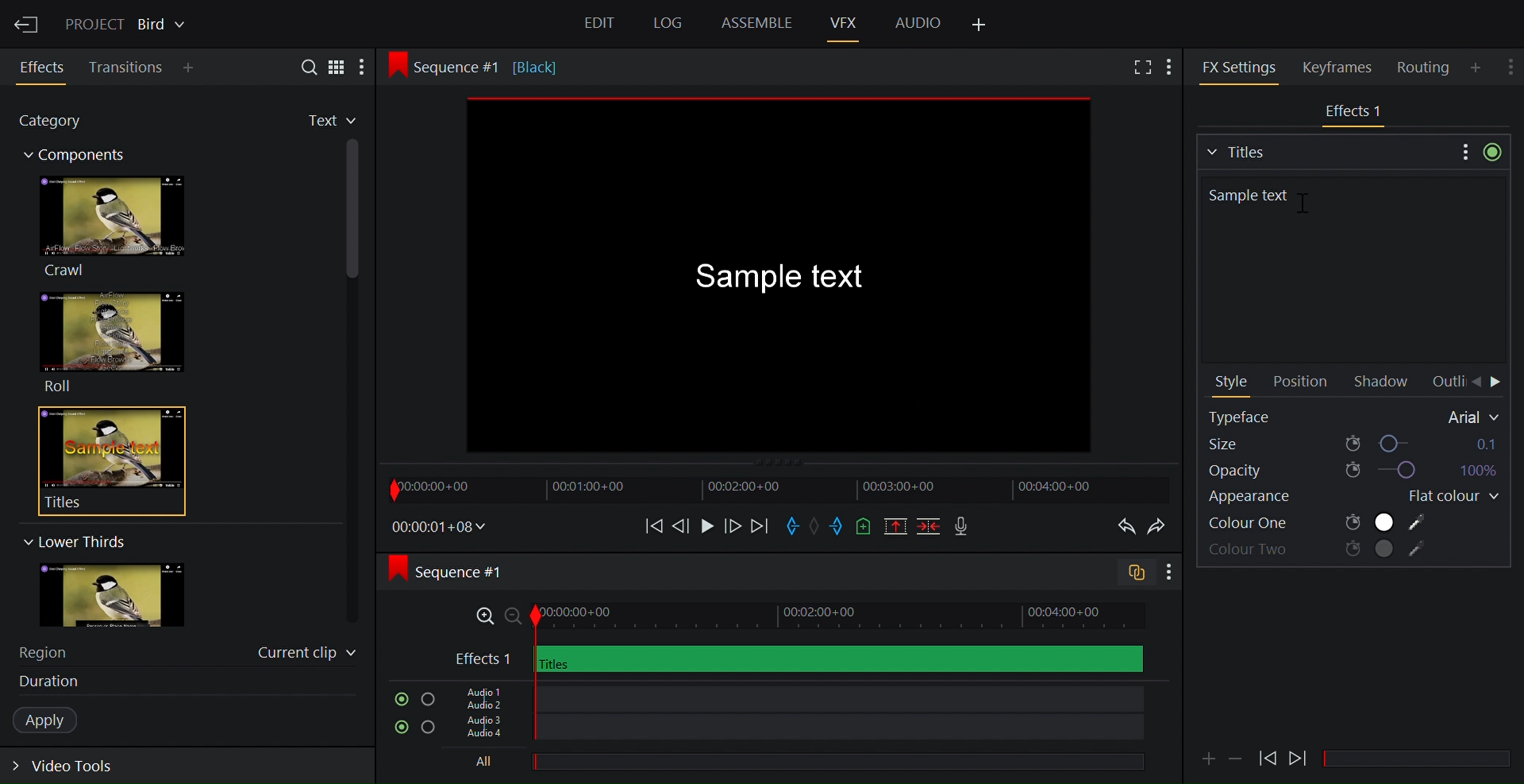 The width and height of the screenshot is (1524, 784). Describe the element at coordinates (1319, 551) in the screenshot. I see `Color two` at that location.